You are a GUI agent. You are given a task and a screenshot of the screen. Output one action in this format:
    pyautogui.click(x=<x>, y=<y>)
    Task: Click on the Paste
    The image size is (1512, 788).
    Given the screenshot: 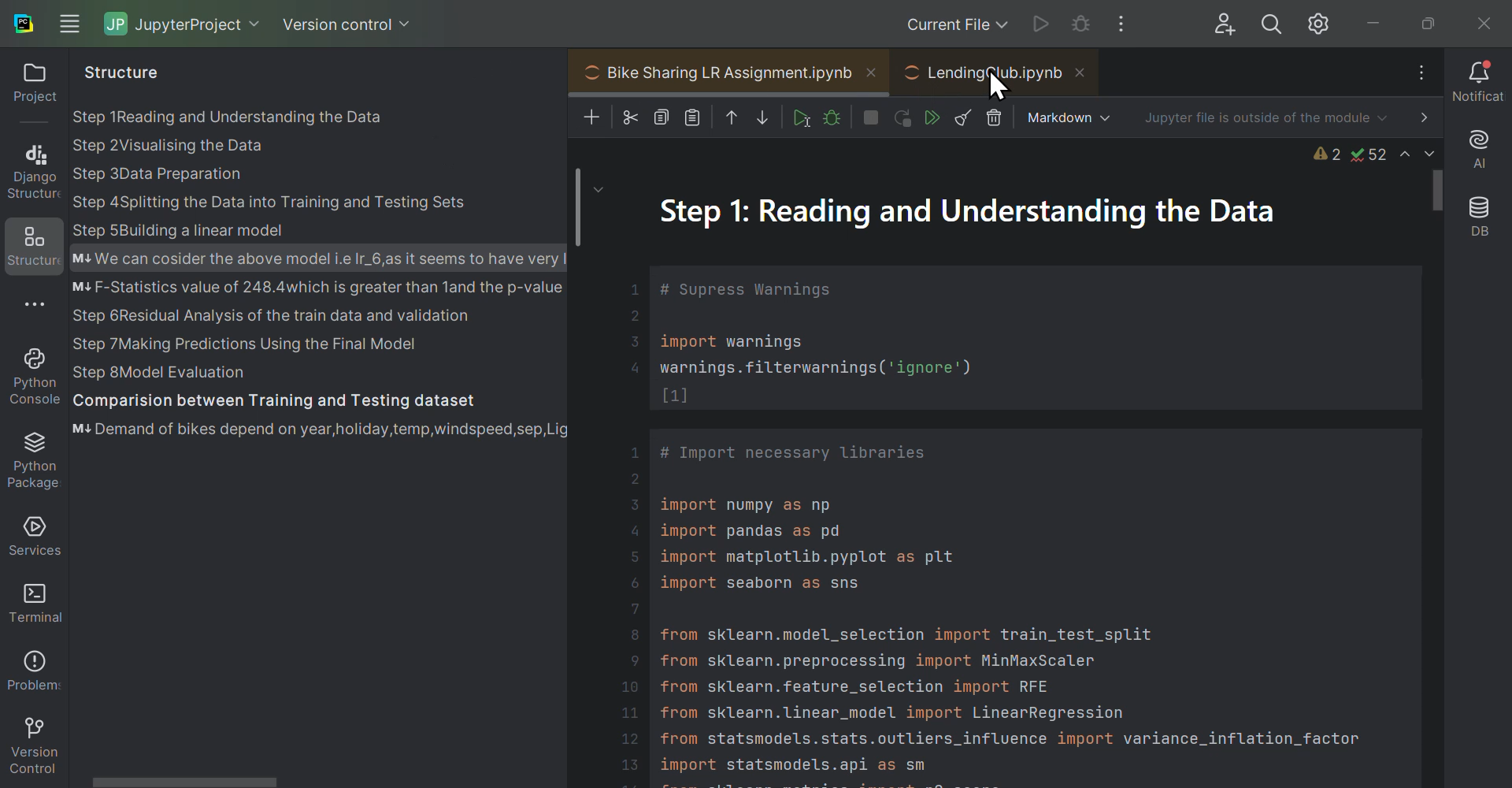 What is the action you would take?
    pyautogui.click(x=695, y=120)
    